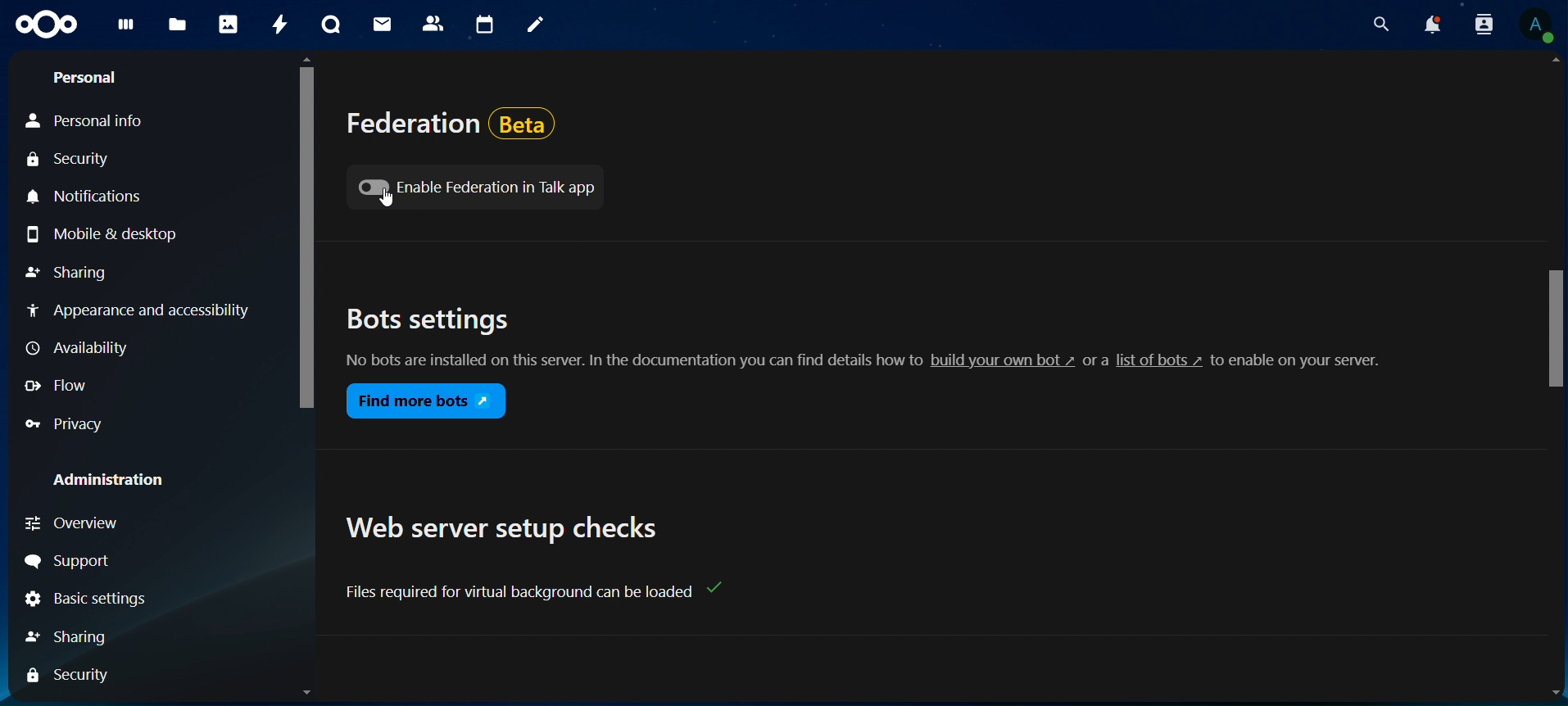 The image size is (1568, 706). Describe the element at coordinates (479, 188) in the screenshot. I see `enable federation in talk app` at that location.